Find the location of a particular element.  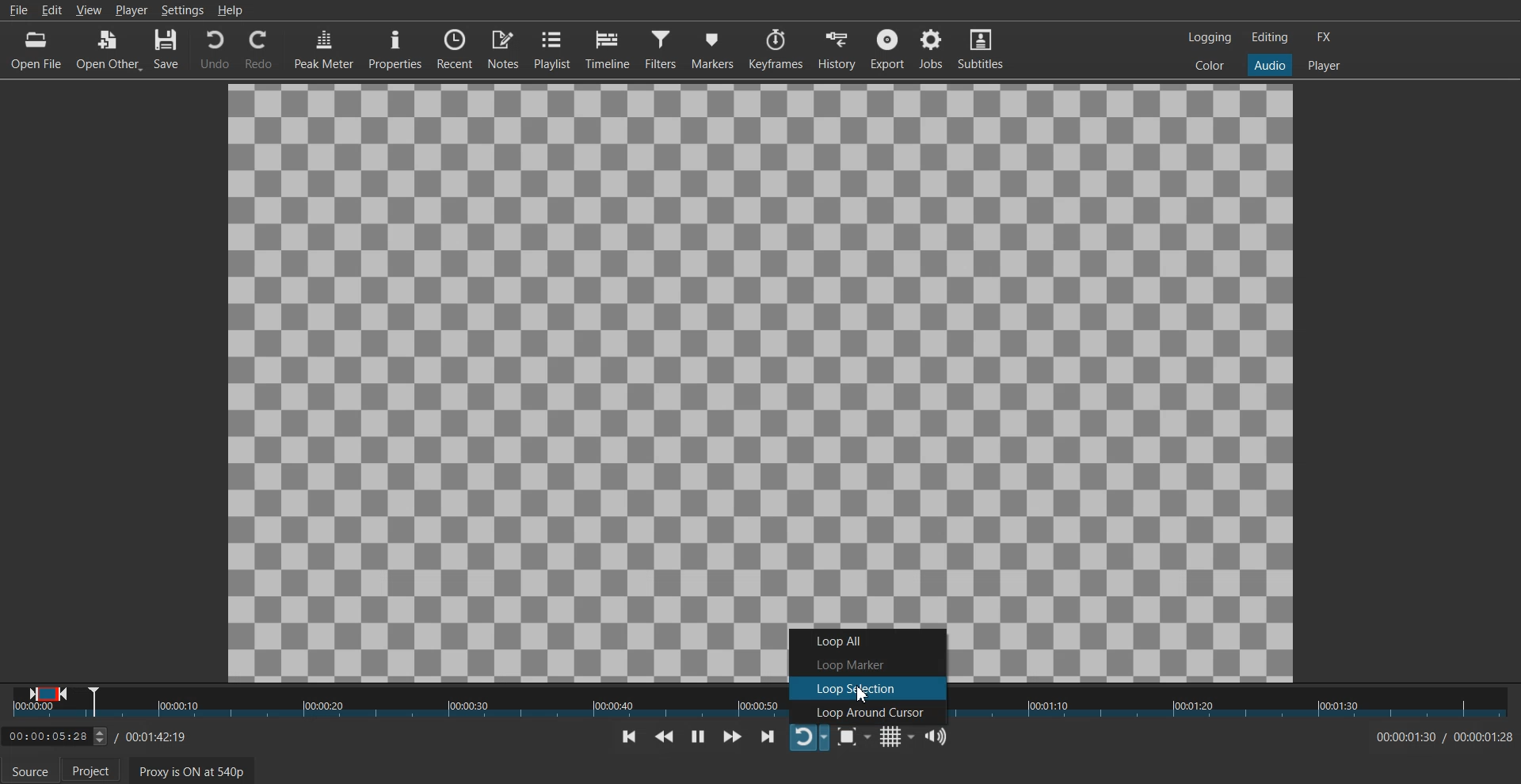

Audio is located at coordinates (1270, 66).